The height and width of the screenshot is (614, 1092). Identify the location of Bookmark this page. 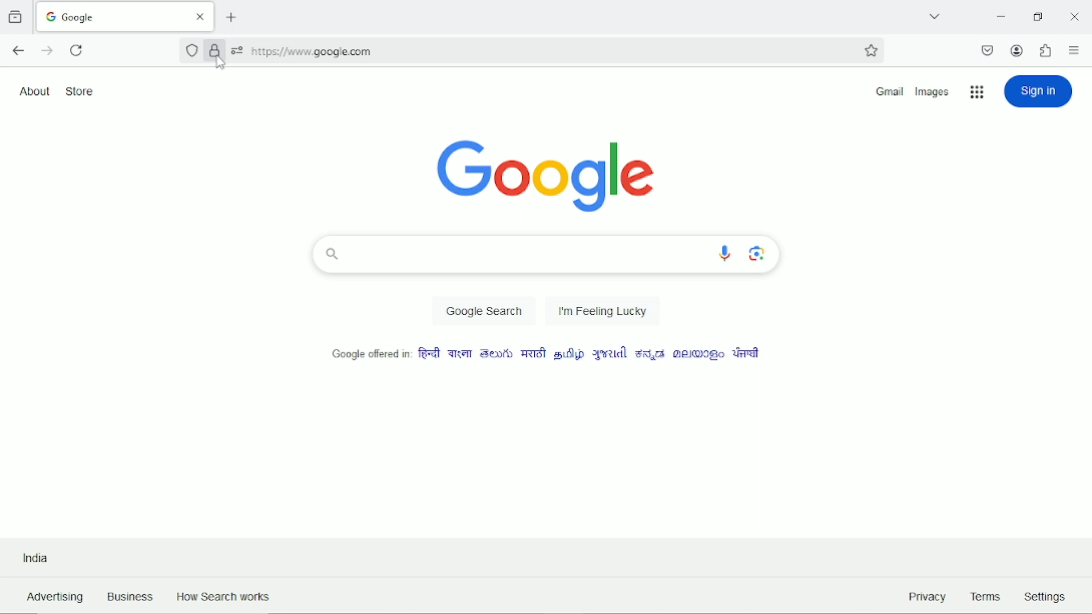
(871, 51).